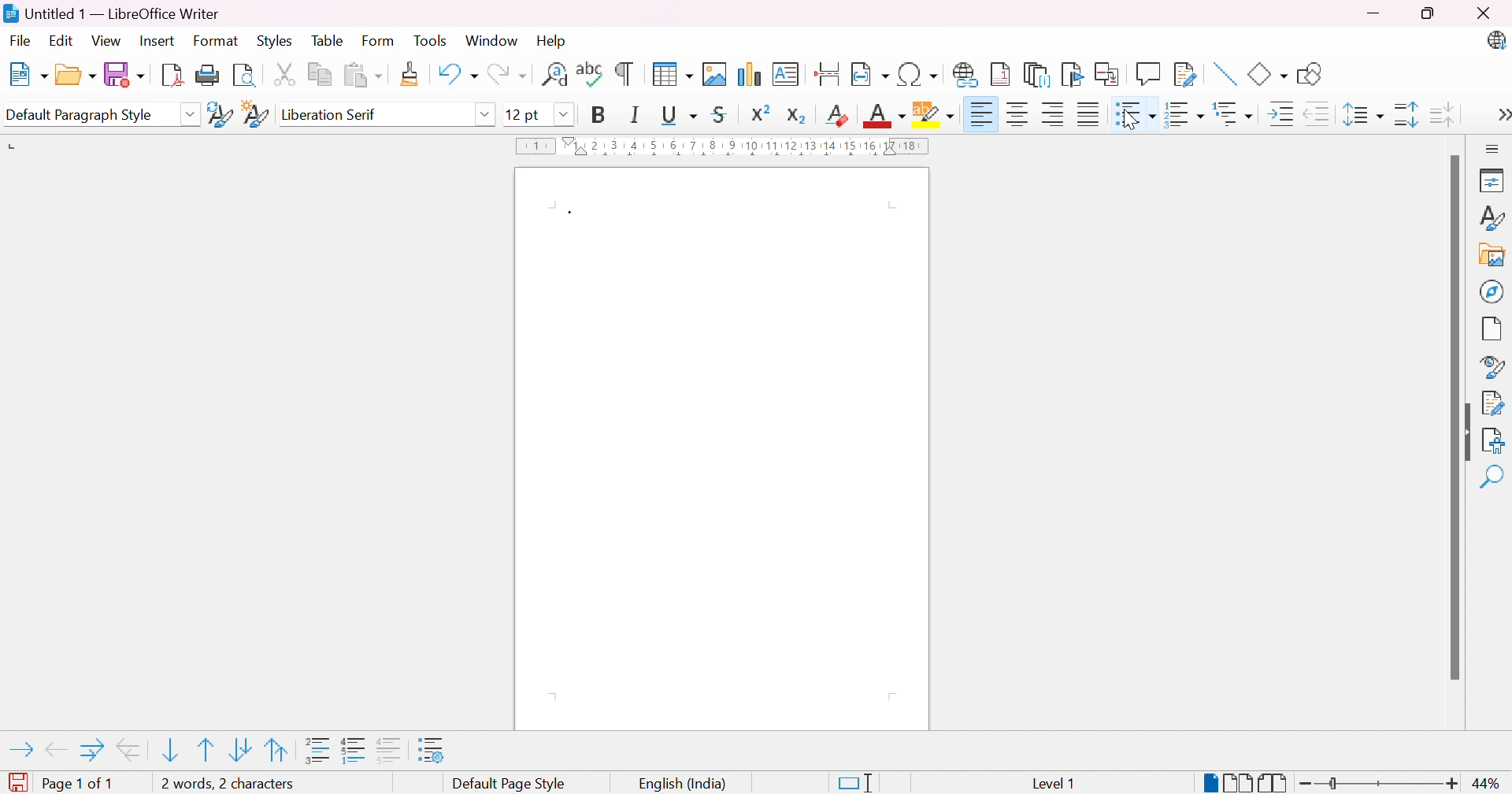  I want to click on Paste, so click(361, 74).